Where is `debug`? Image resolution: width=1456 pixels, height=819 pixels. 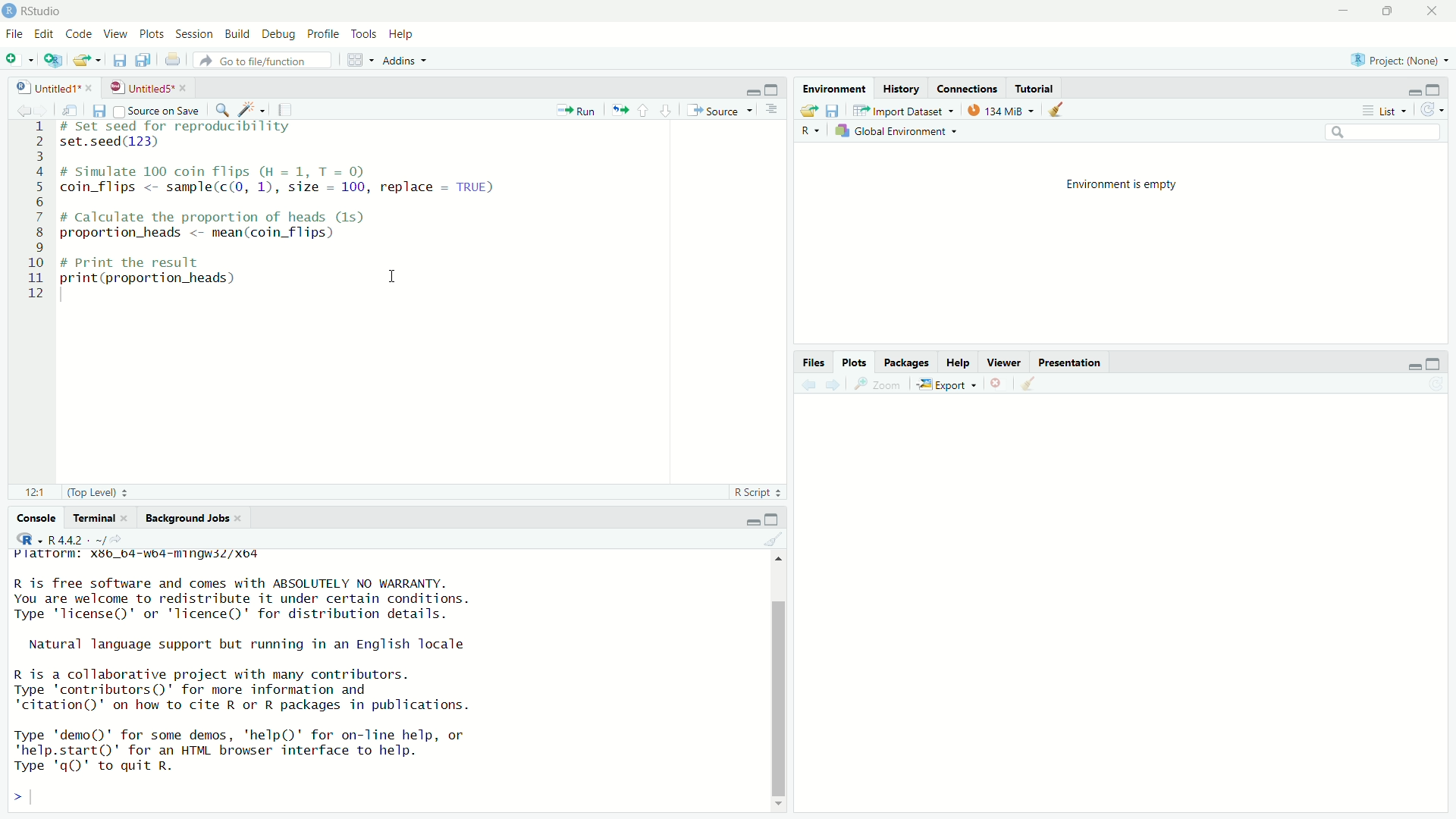
debug is located at coordinates (281, 35).